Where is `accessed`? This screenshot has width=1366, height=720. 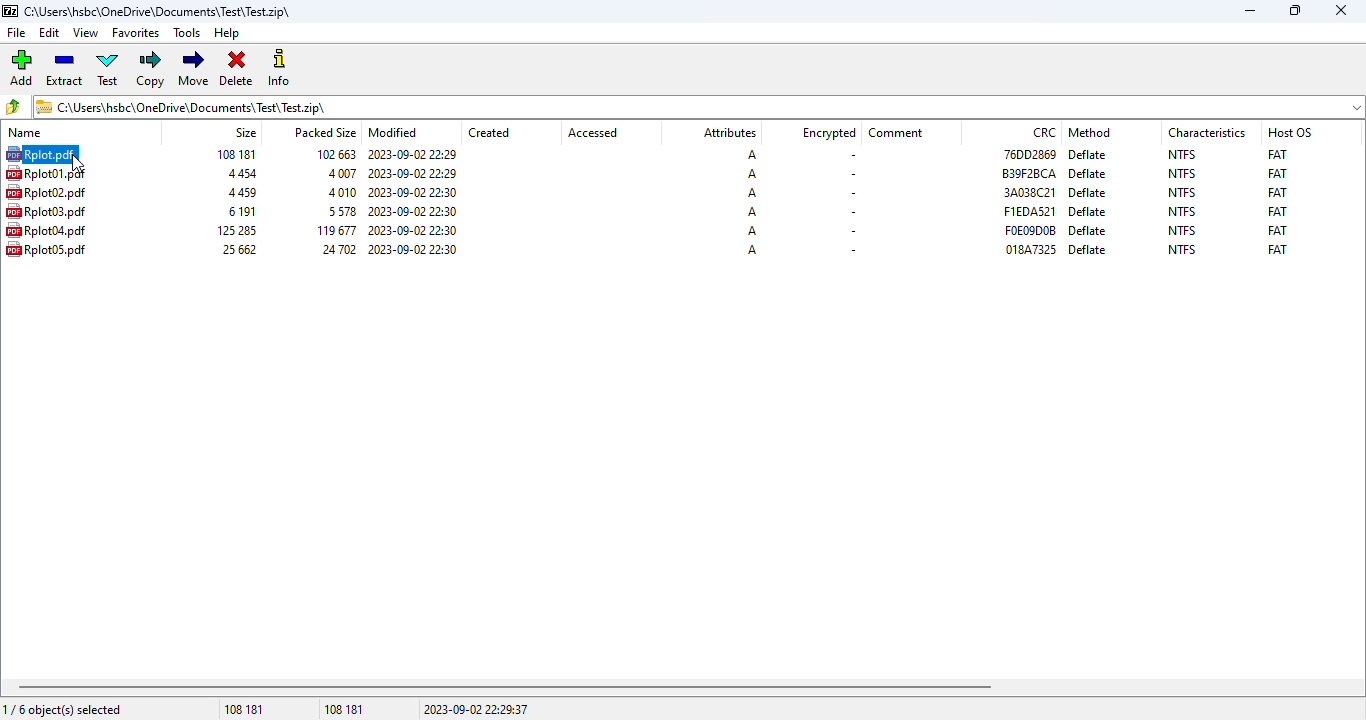 accessed is located at coordinates (593, 133).